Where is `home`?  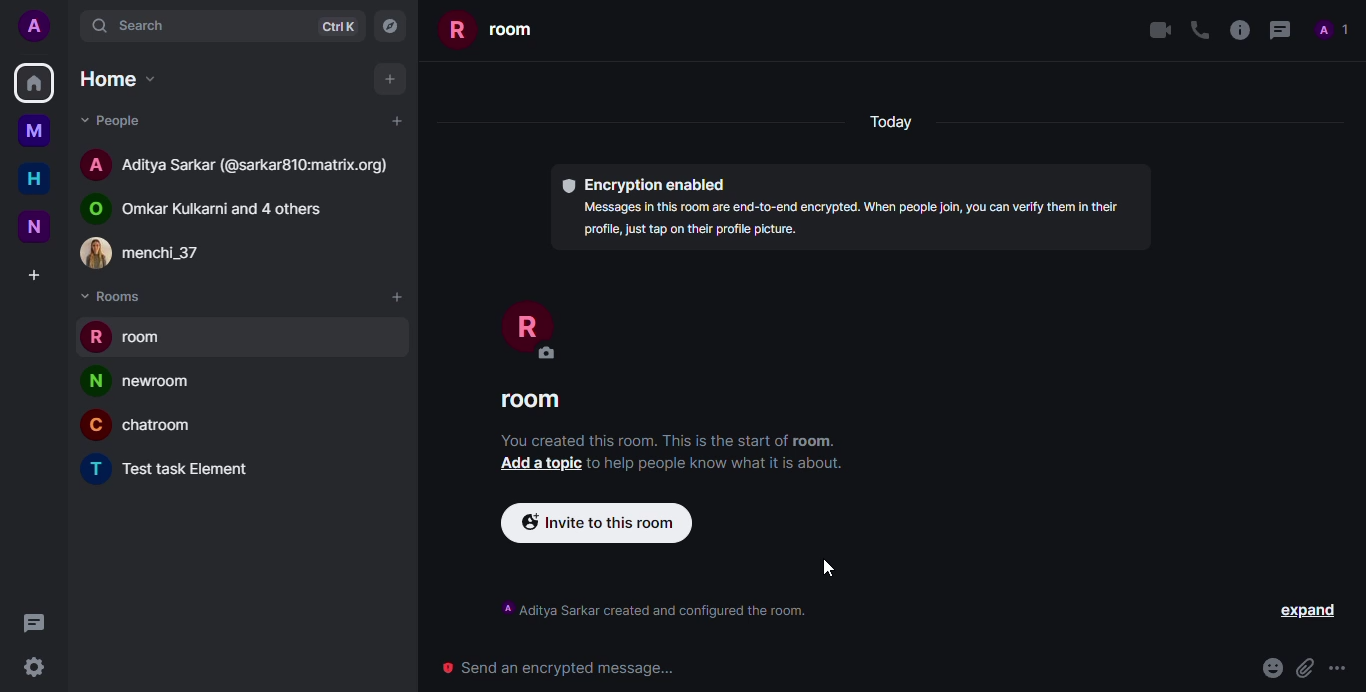
home is located at coordinates (34, 87).